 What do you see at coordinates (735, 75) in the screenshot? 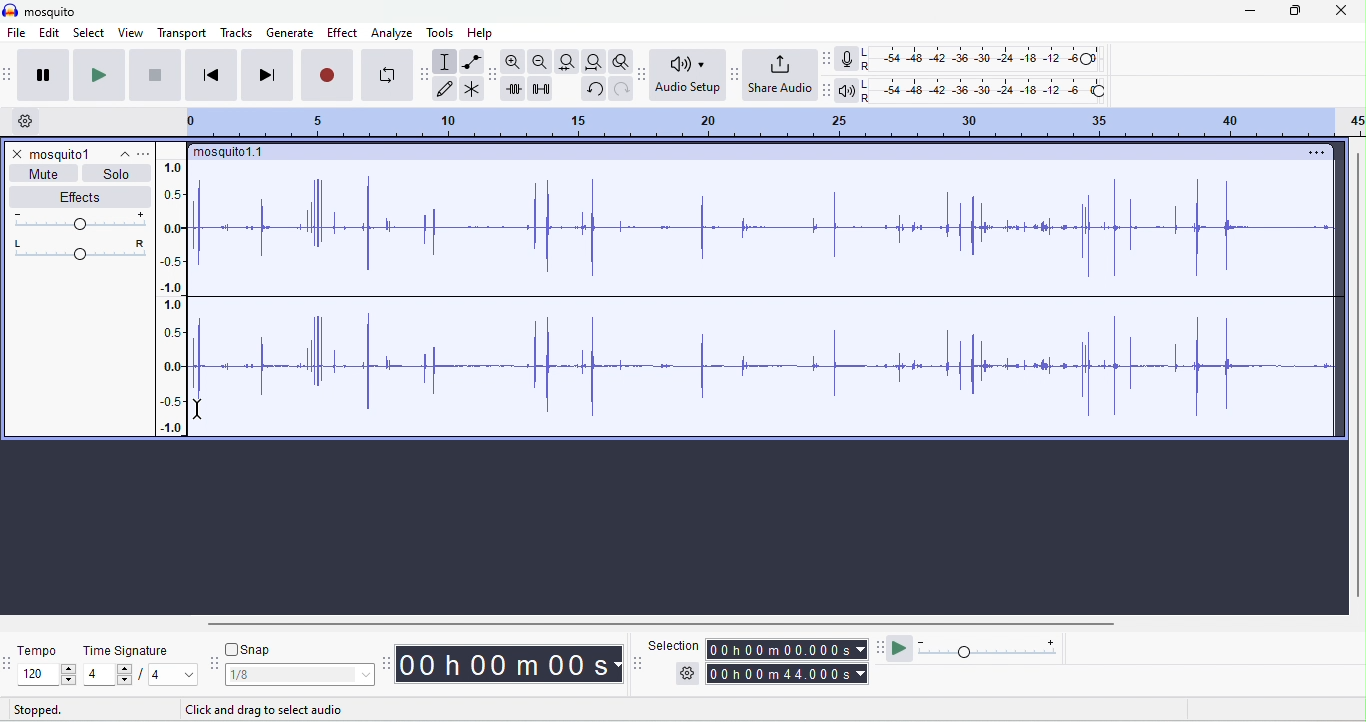
I see `share audio tool bar` at bounding box center [735, 75].